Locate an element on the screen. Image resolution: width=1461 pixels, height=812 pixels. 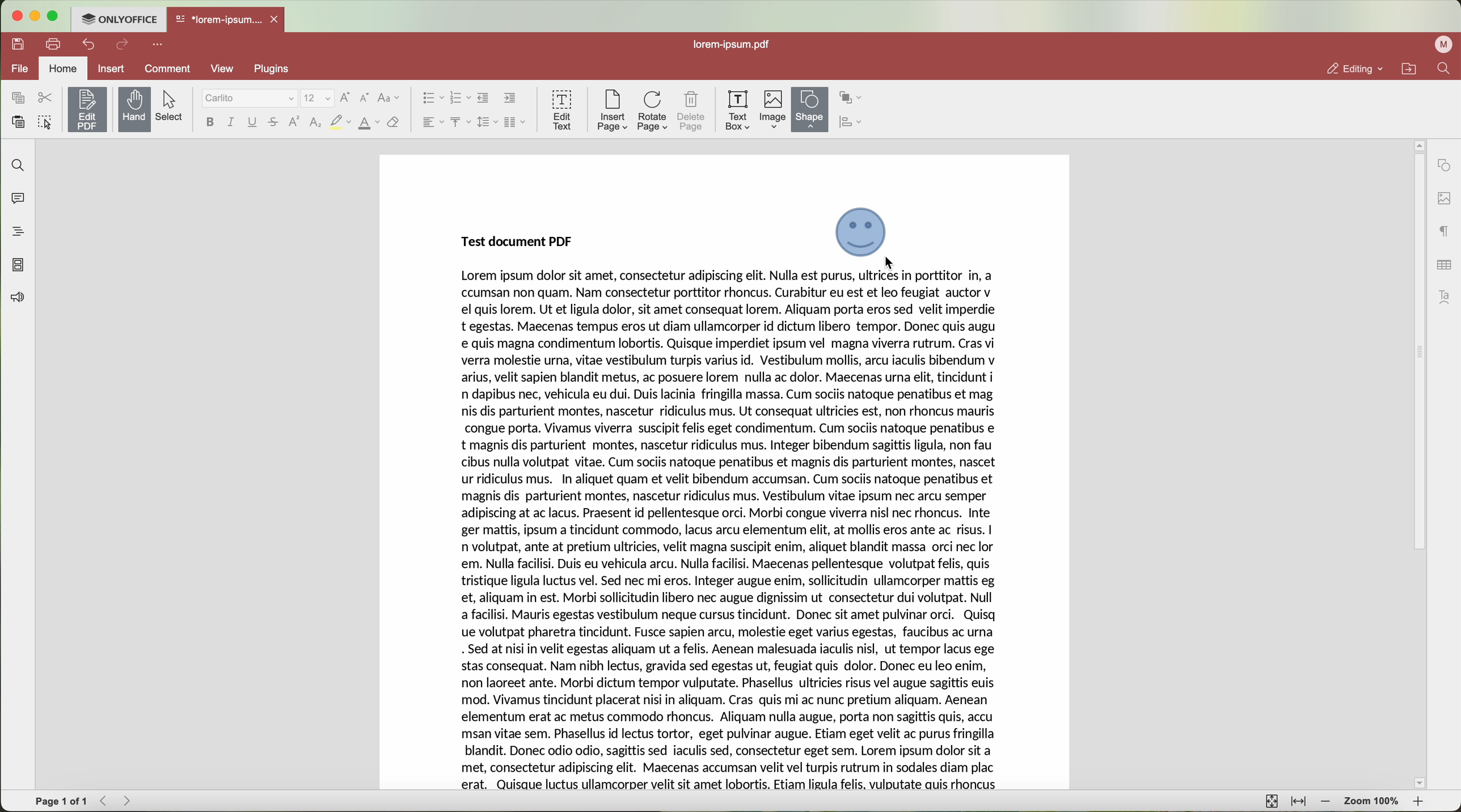
table settings is located at coordinates (1443, 263).